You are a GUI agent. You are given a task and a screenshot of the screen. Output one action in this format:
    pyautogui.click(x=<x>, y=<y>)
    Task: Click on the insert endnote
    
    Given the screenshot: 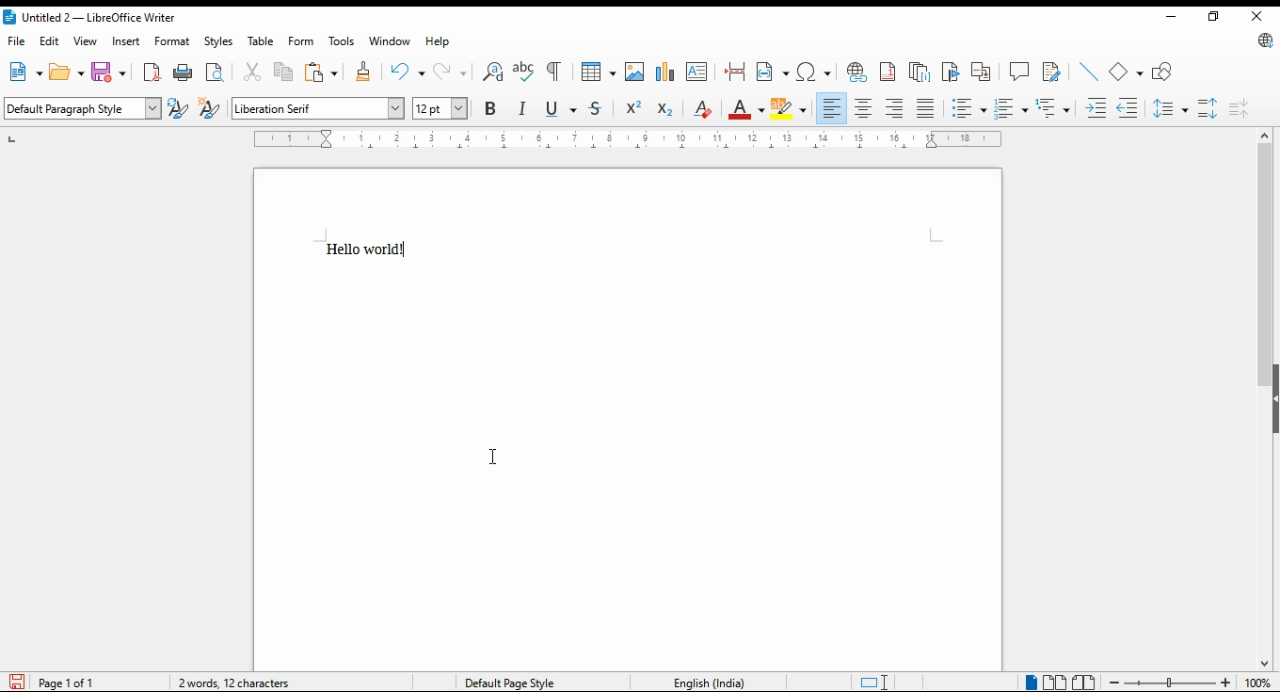 What is the action you would take?
    pyautogui.click(x=919, y=73)
    